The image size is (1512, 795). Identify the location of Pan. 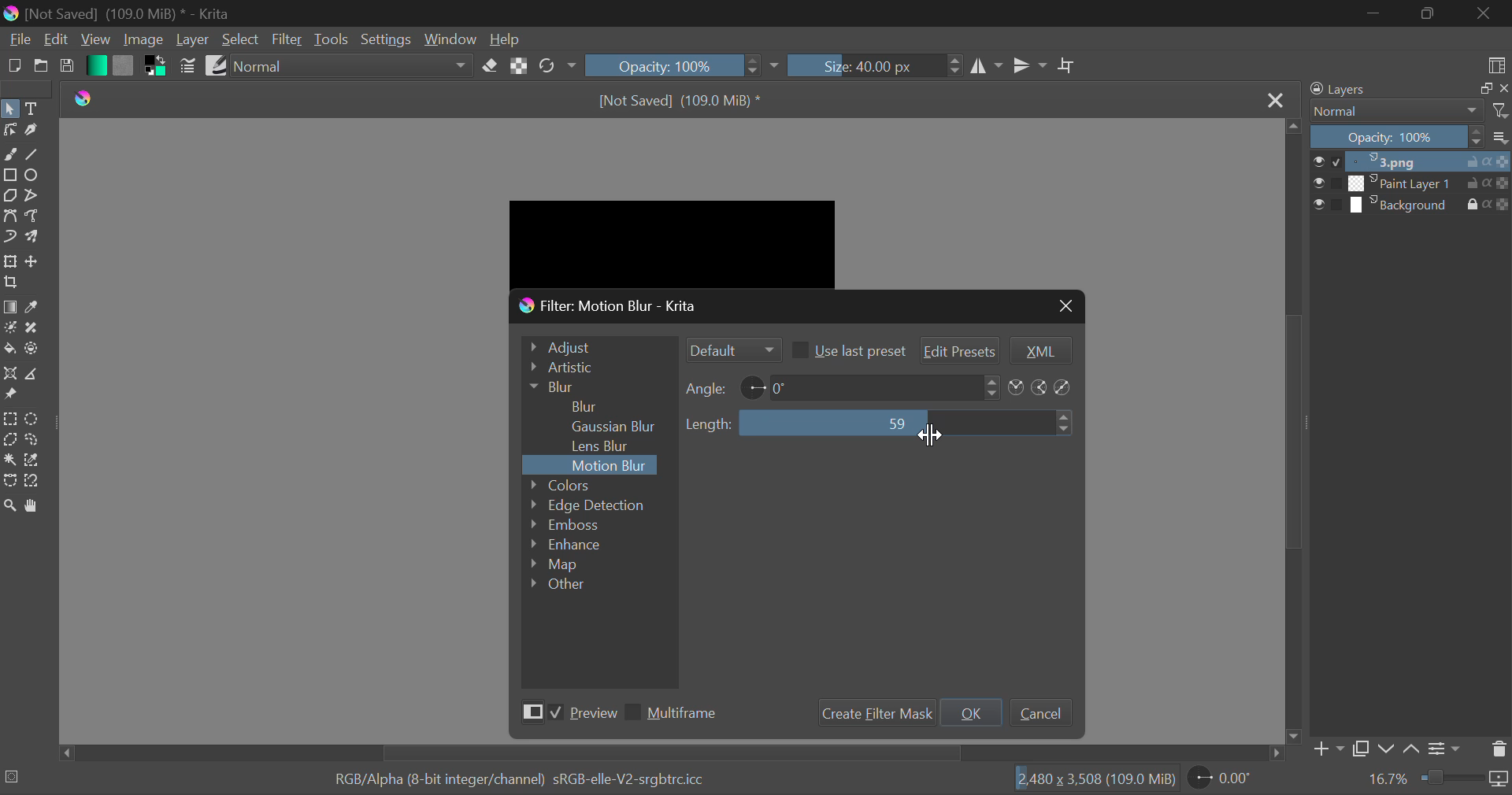
(38, 506).